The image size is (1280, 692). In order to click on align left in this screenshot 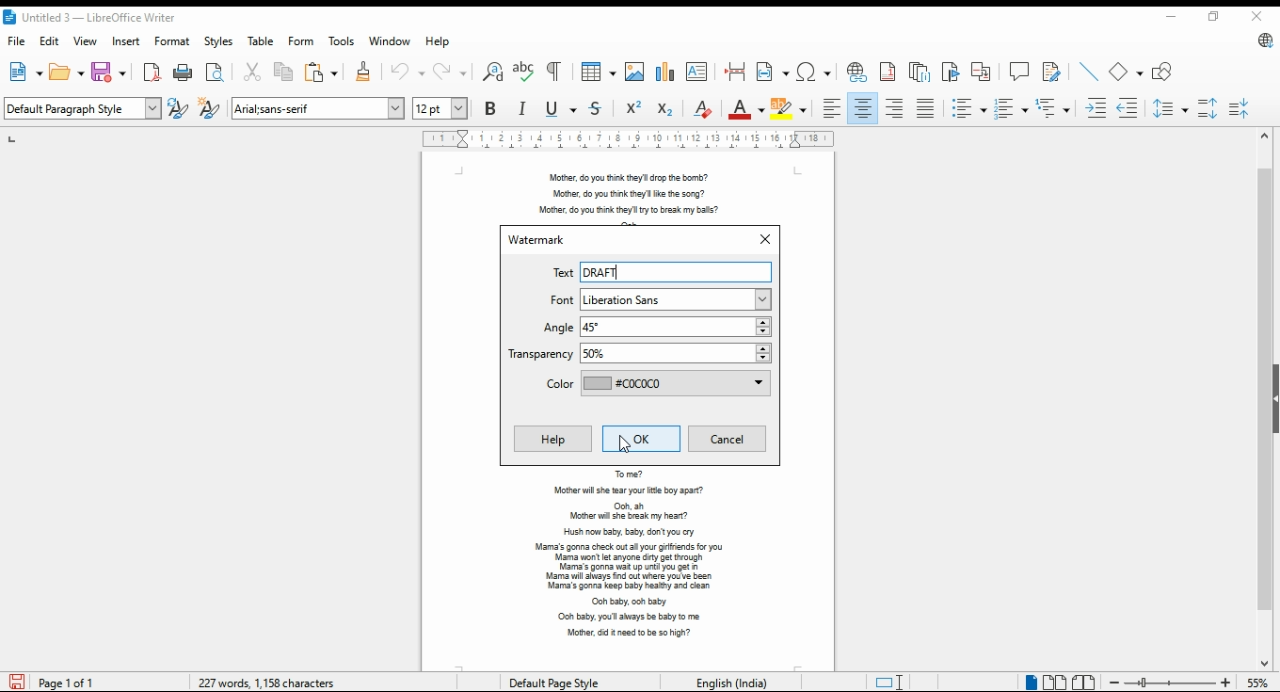, I will do `click(832, 108)`.